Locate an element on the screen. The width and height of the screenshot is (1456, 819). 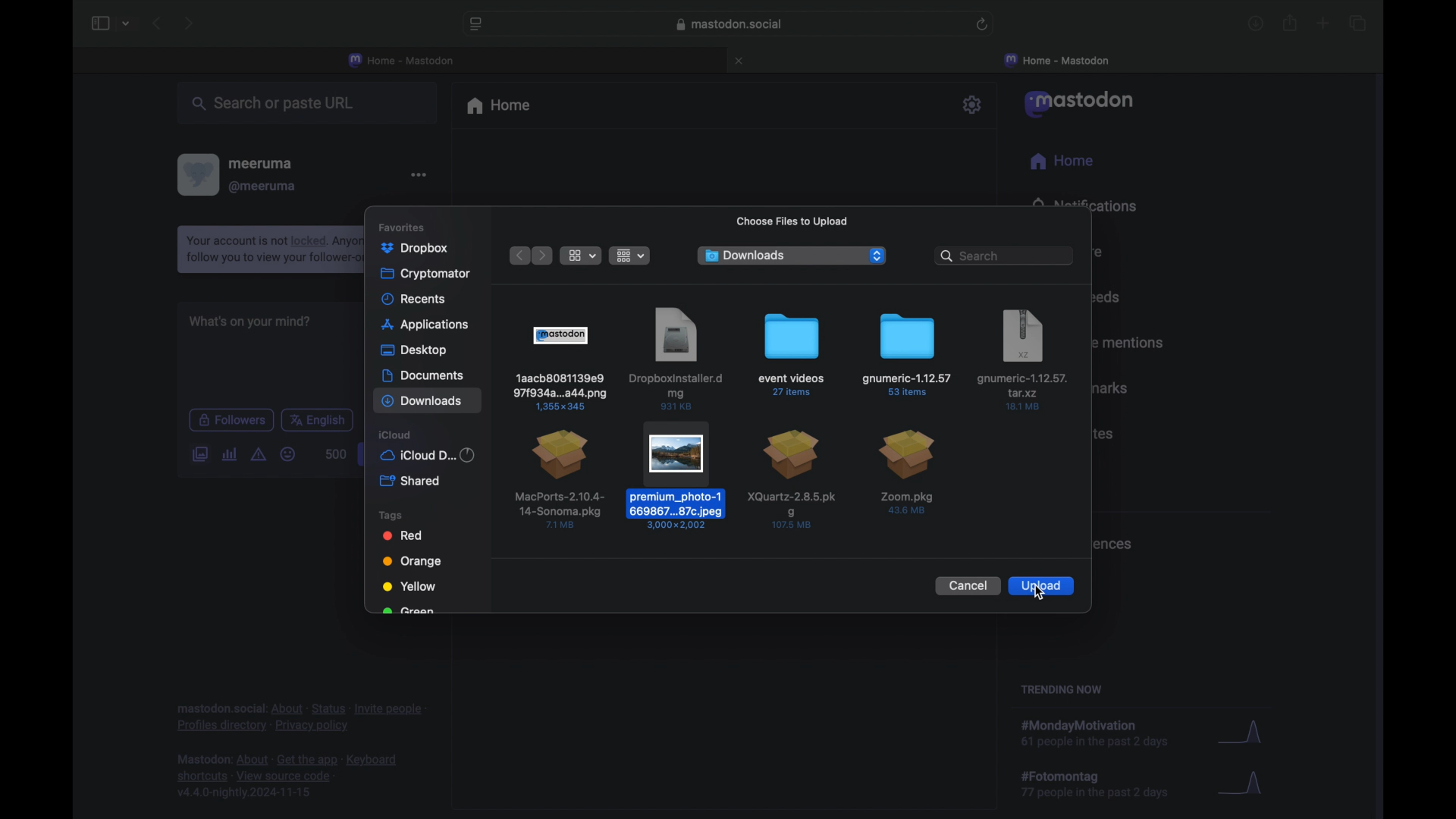
file is located at coordinates (560, 367).